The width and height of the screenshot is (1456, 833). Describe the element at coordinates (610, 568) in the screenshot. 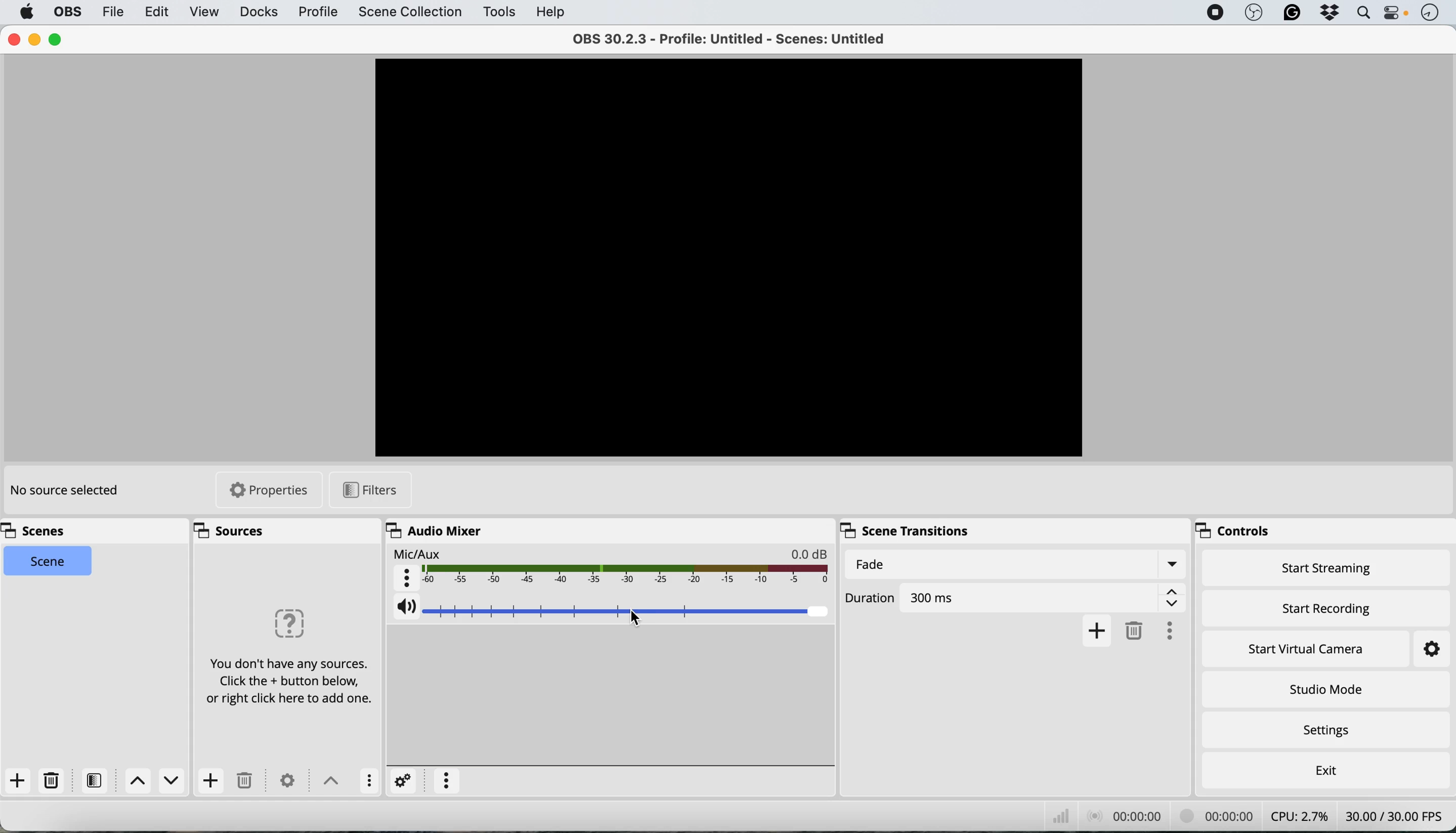

I see `mic aux audio` at that location.